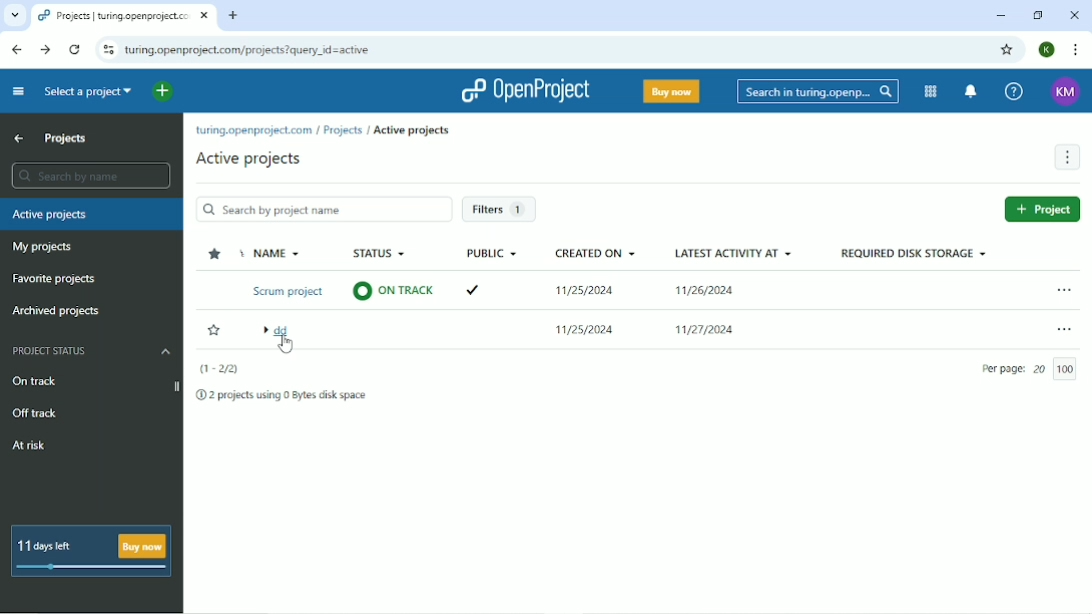 The width and height of the screenshot is (1092, 614). Describe the element at coordinates (475, 289) in the screenshot. I see `tick` at that location.